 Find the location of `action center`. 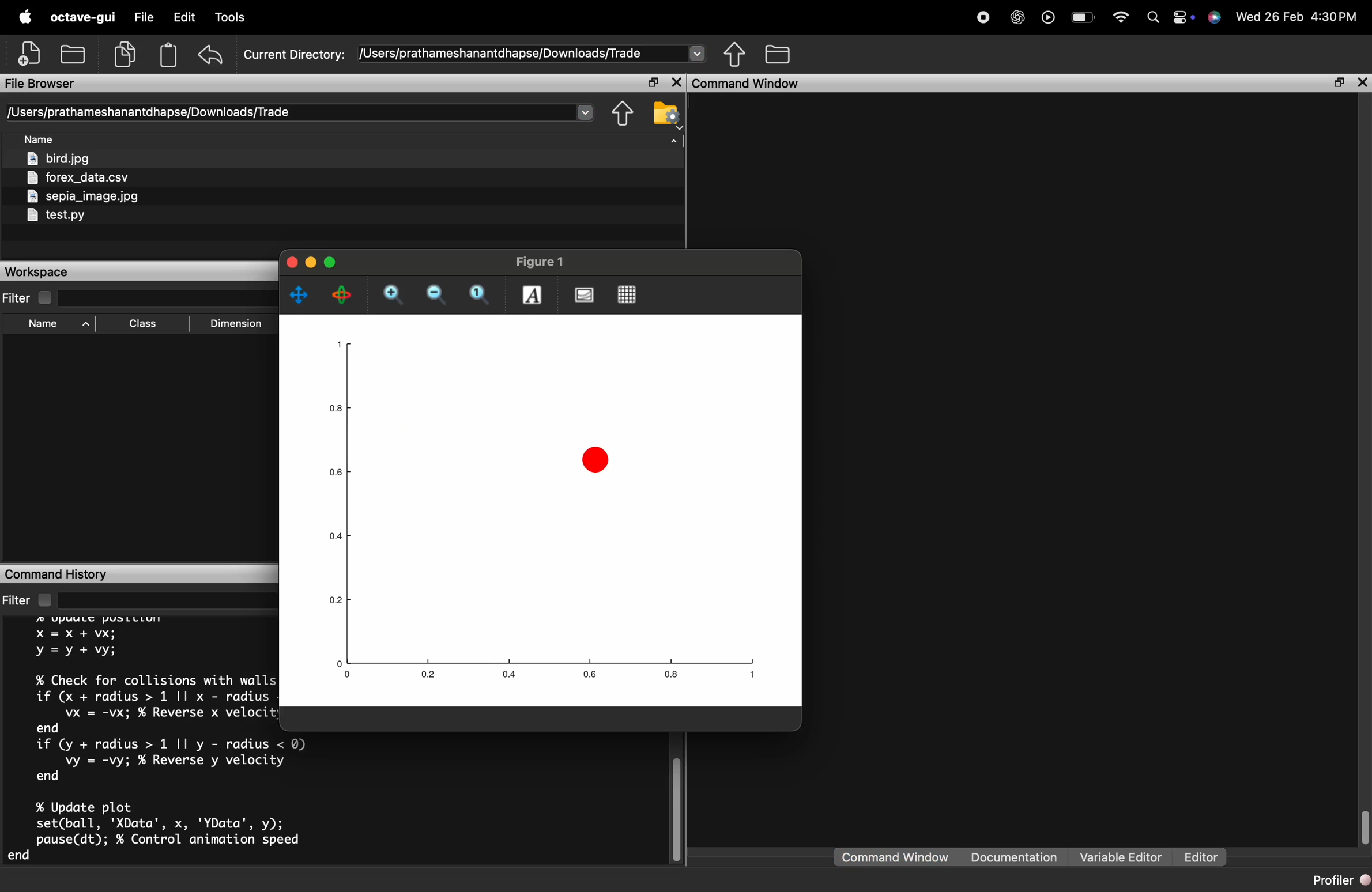

action center is located at coordinates (1185, 17).